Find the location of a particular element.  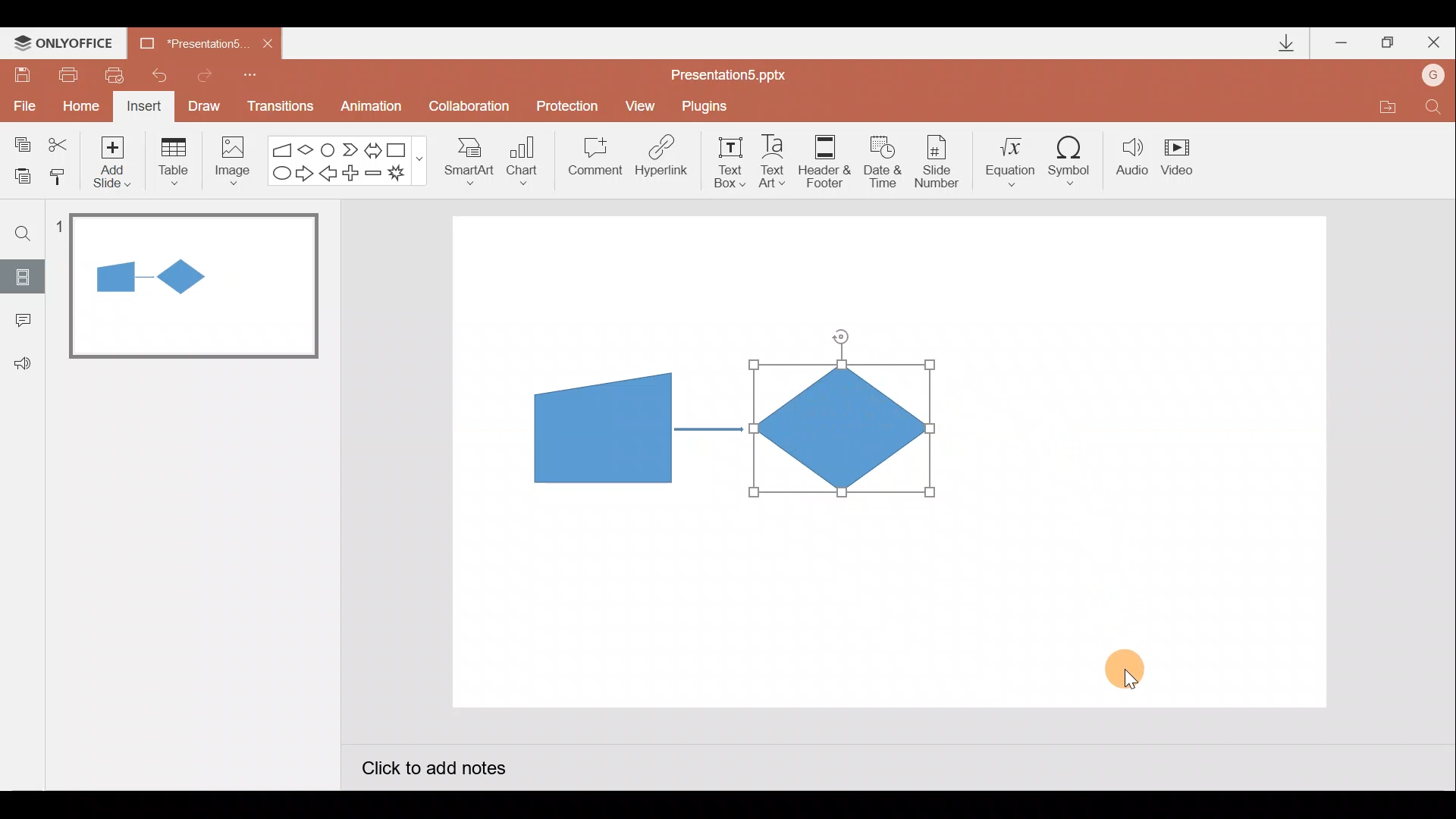

Paste is located at coordinates (18, 174).